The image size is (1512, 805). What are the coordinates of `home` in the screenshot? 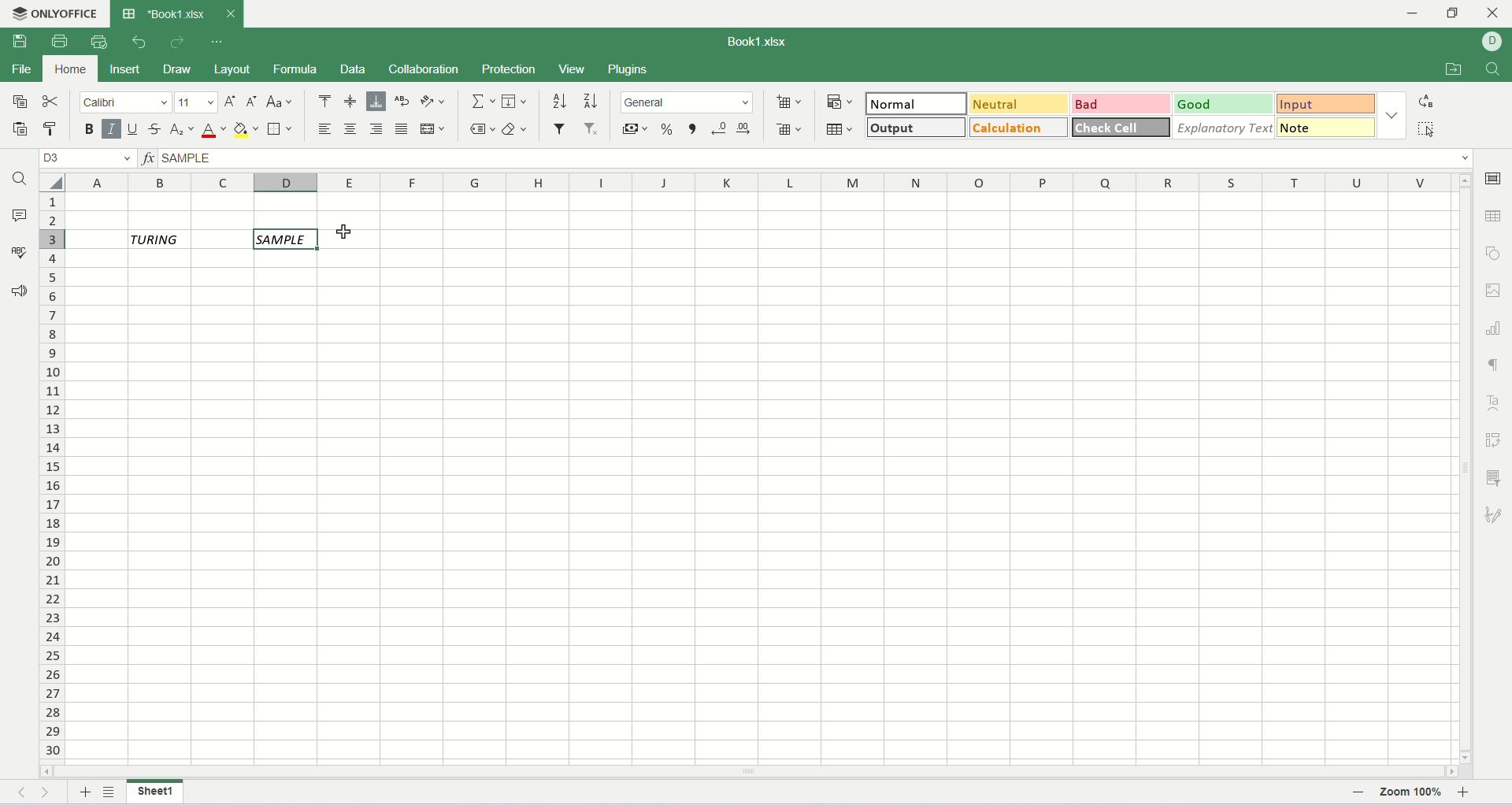 It's located at (70, 69).